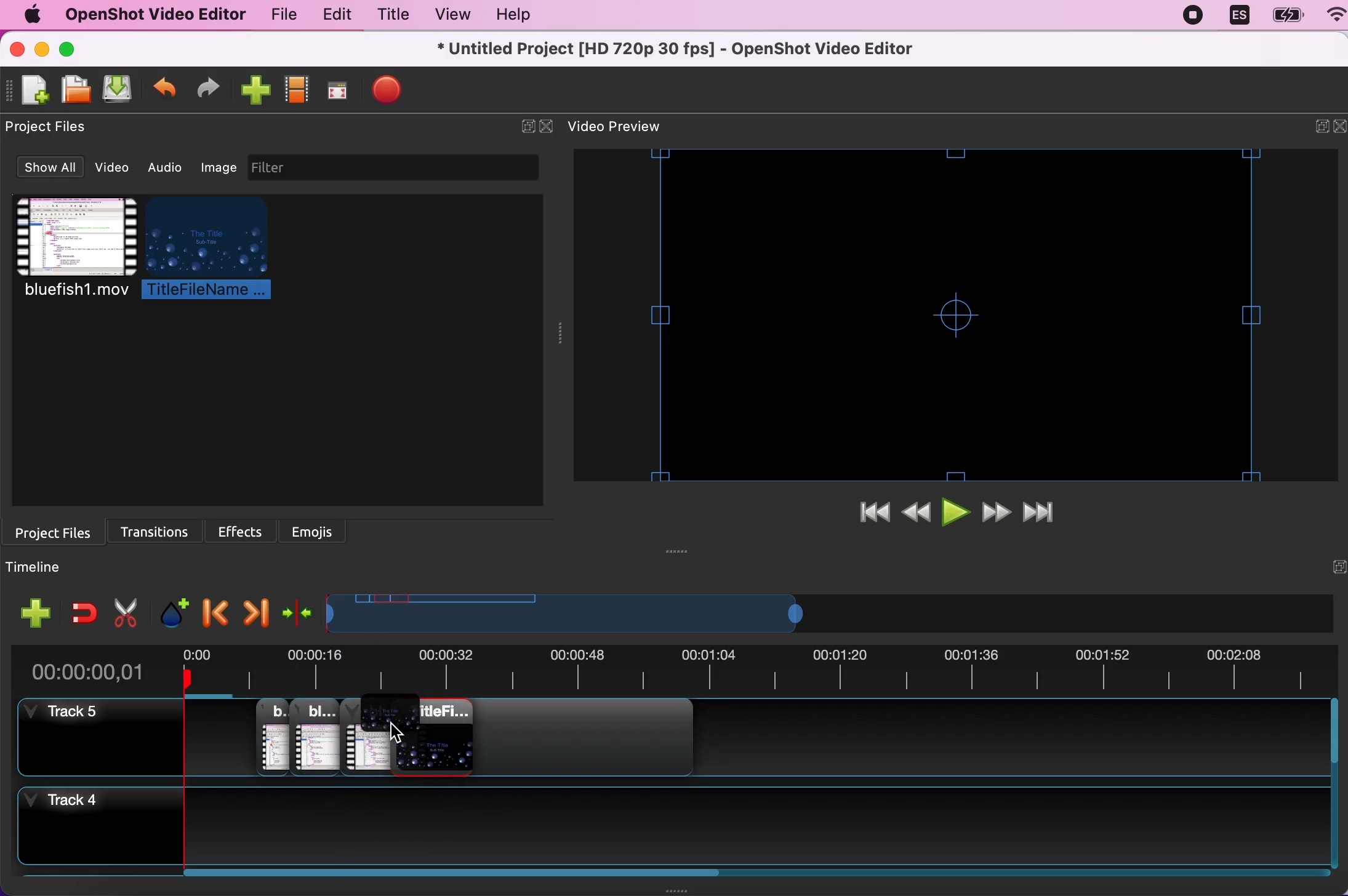 The height and width of the screenshot is (896, 1348). I want to click on stop, so click(387, 89).